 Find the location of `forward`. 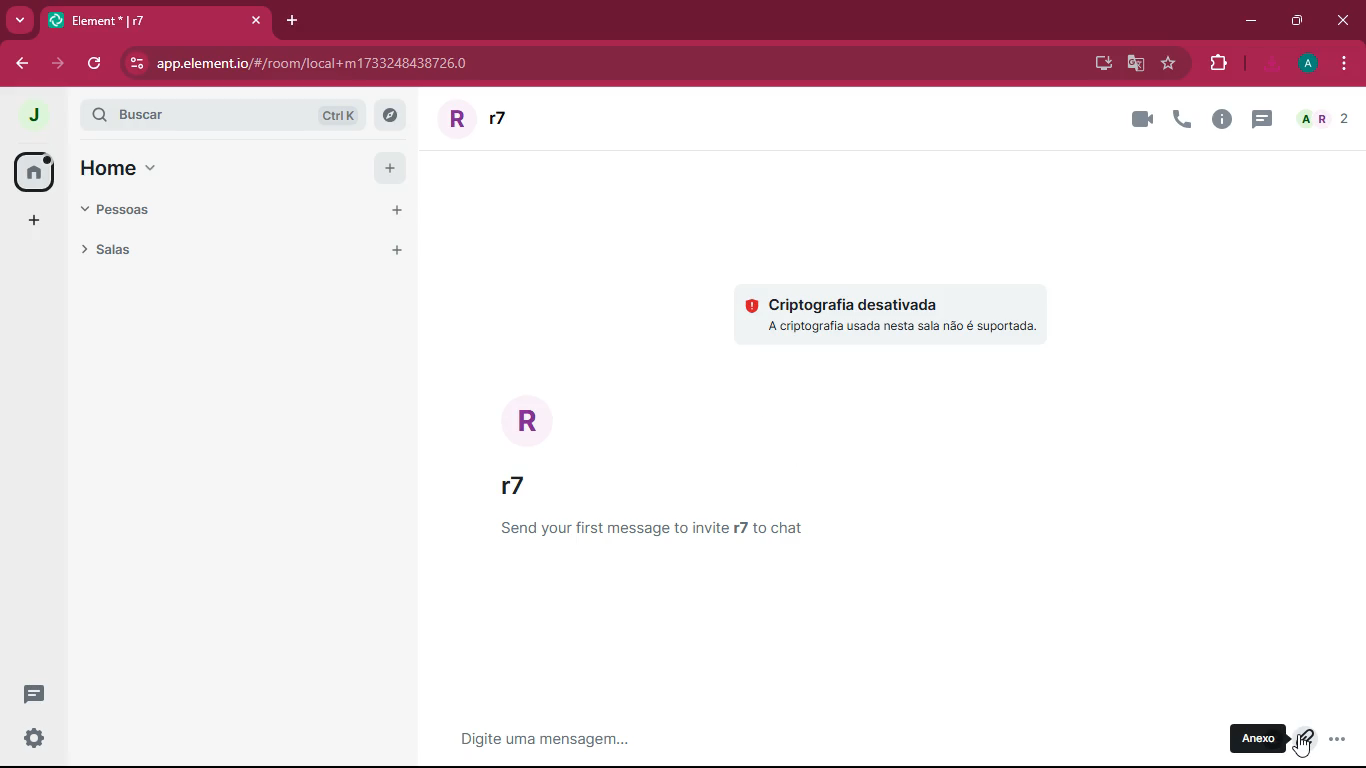

forward is located at coordinates (54, 64).